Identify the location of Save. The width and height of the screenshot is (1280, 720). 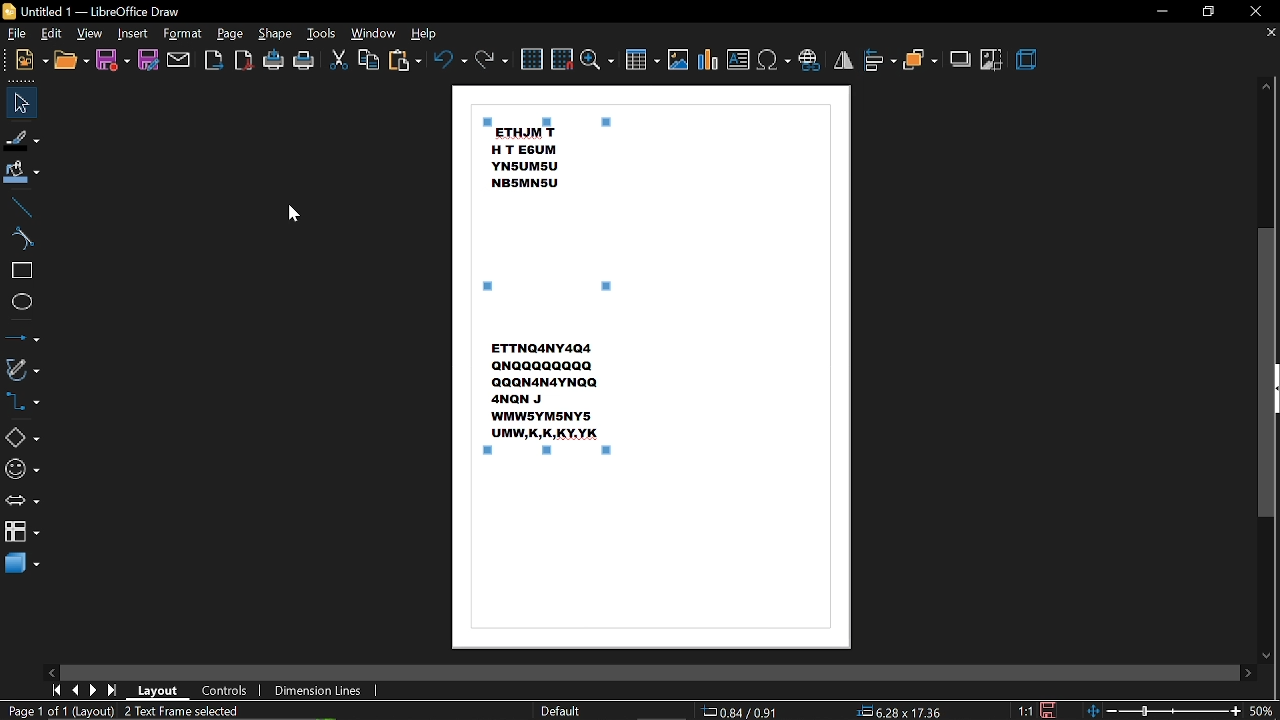
(1054, 710).